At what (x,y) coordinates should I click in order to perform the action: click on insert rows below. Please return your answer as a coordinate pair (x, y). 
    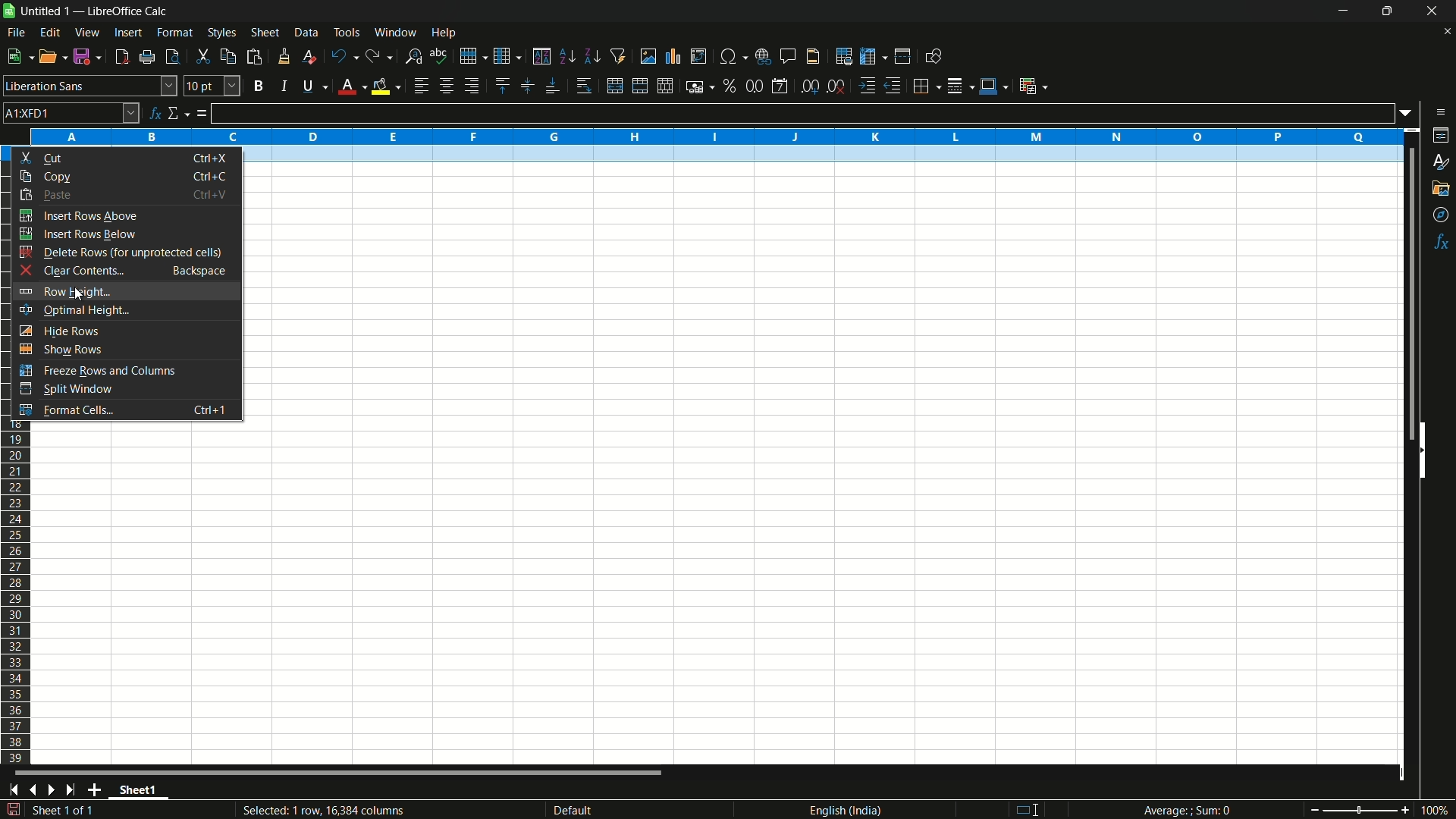
    Looking at the image, I should click on (124, 234).